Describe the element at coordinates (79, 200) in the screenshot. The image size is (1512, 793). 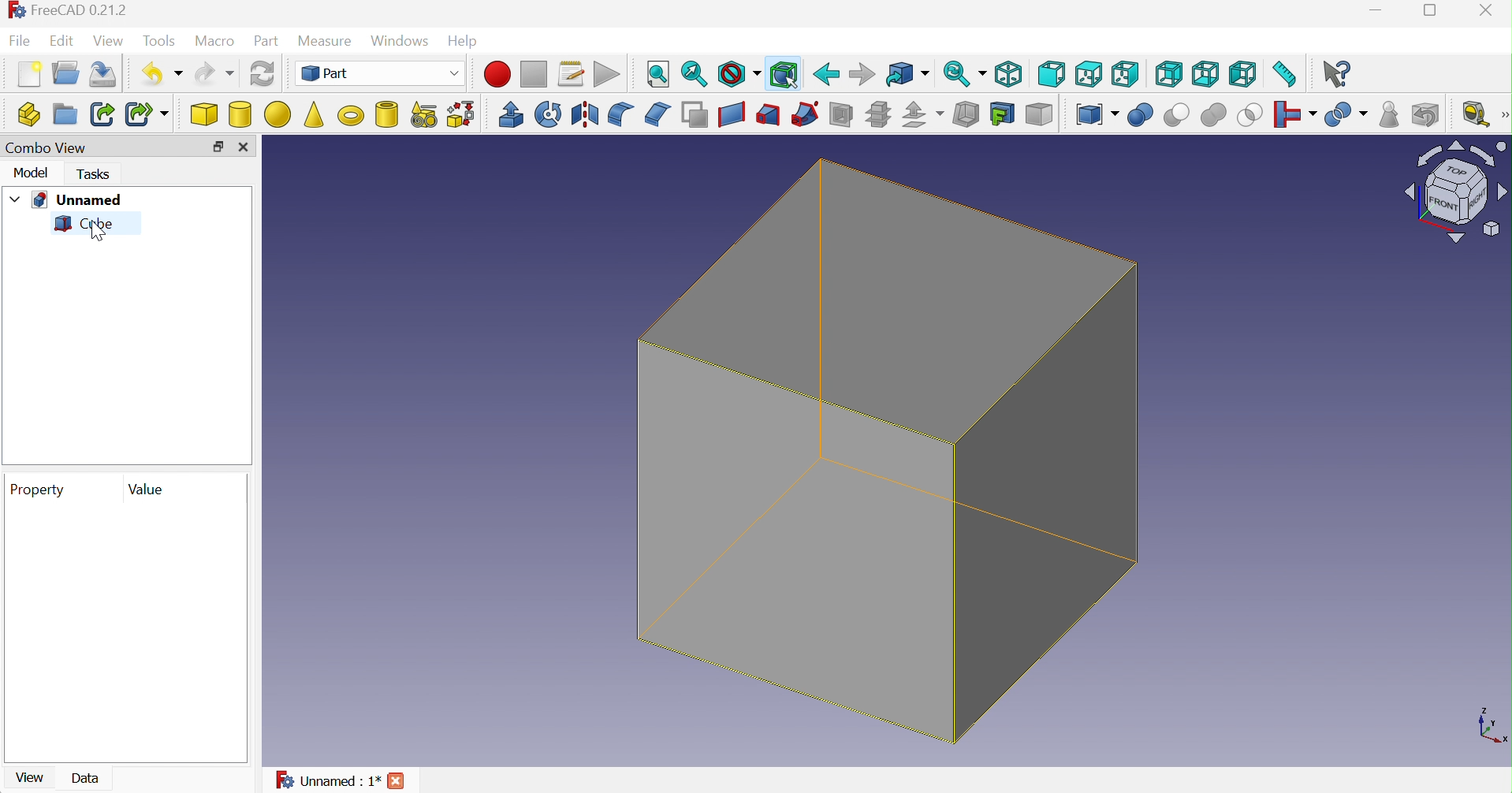
I see `Unnamed` at that location.